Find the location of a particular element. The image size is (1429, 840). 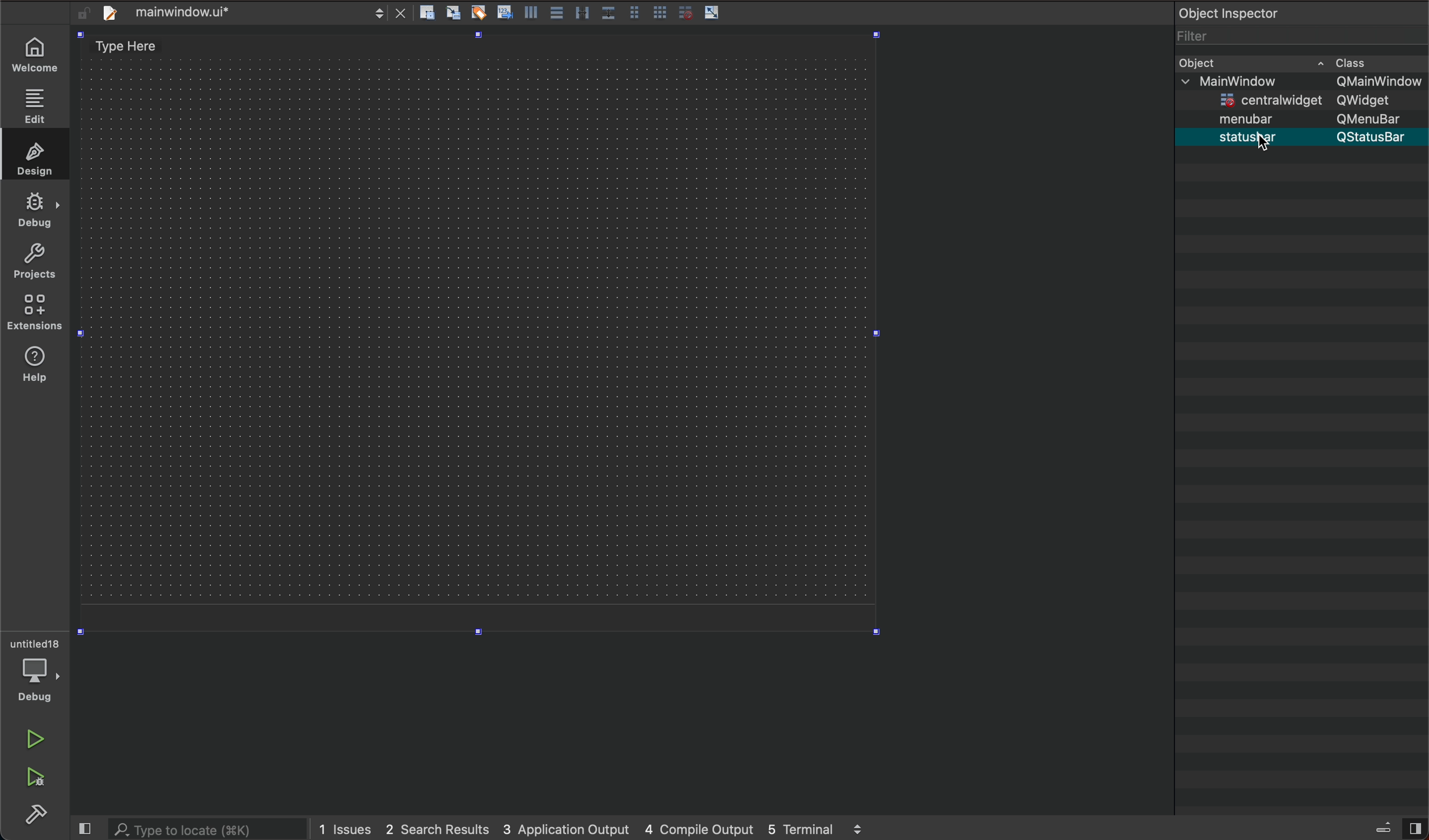

menubar Qmenubar is located at coordinates (1312, 120).